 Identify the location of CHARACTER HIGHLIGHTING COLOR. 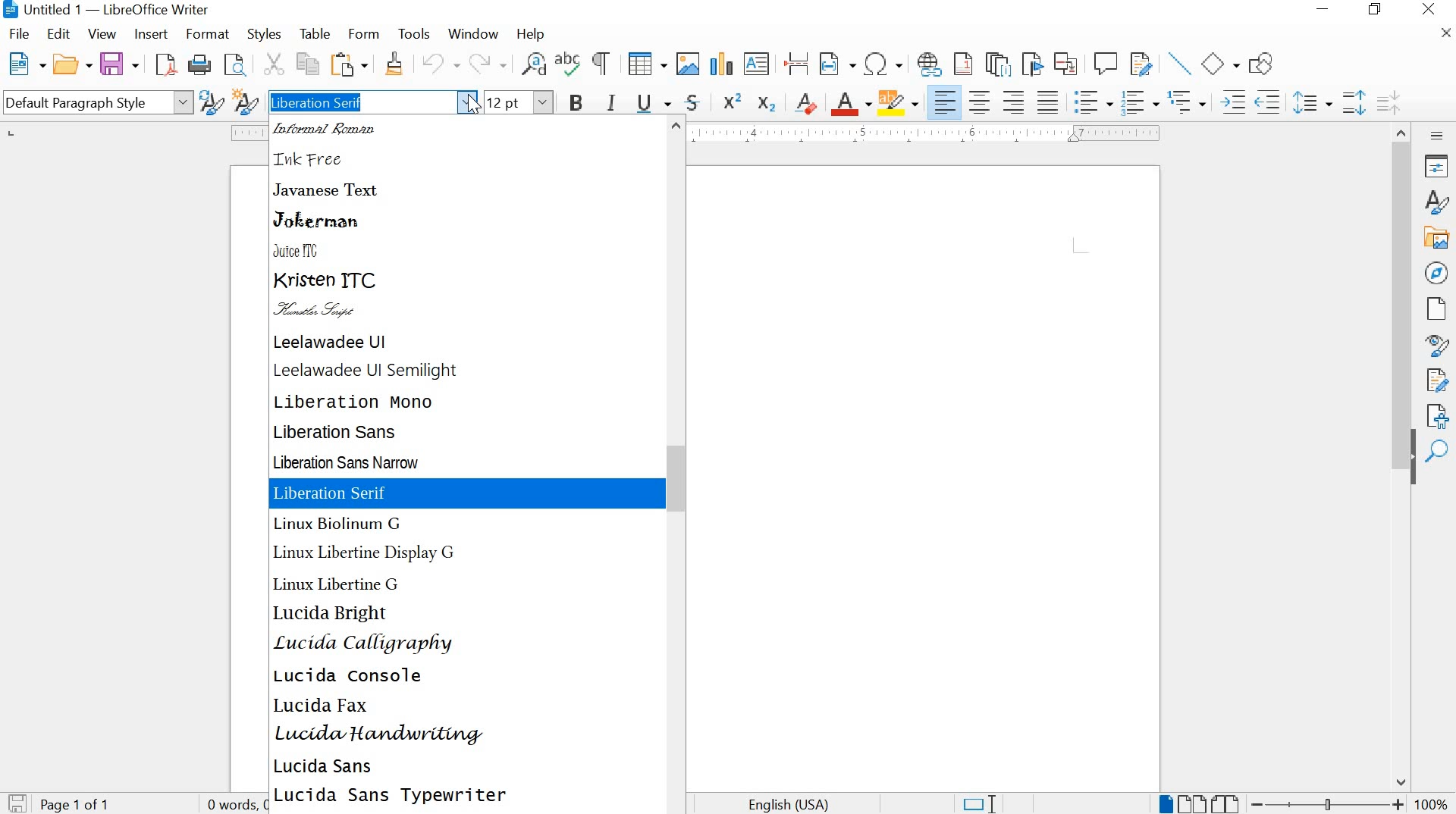
(899, 103).